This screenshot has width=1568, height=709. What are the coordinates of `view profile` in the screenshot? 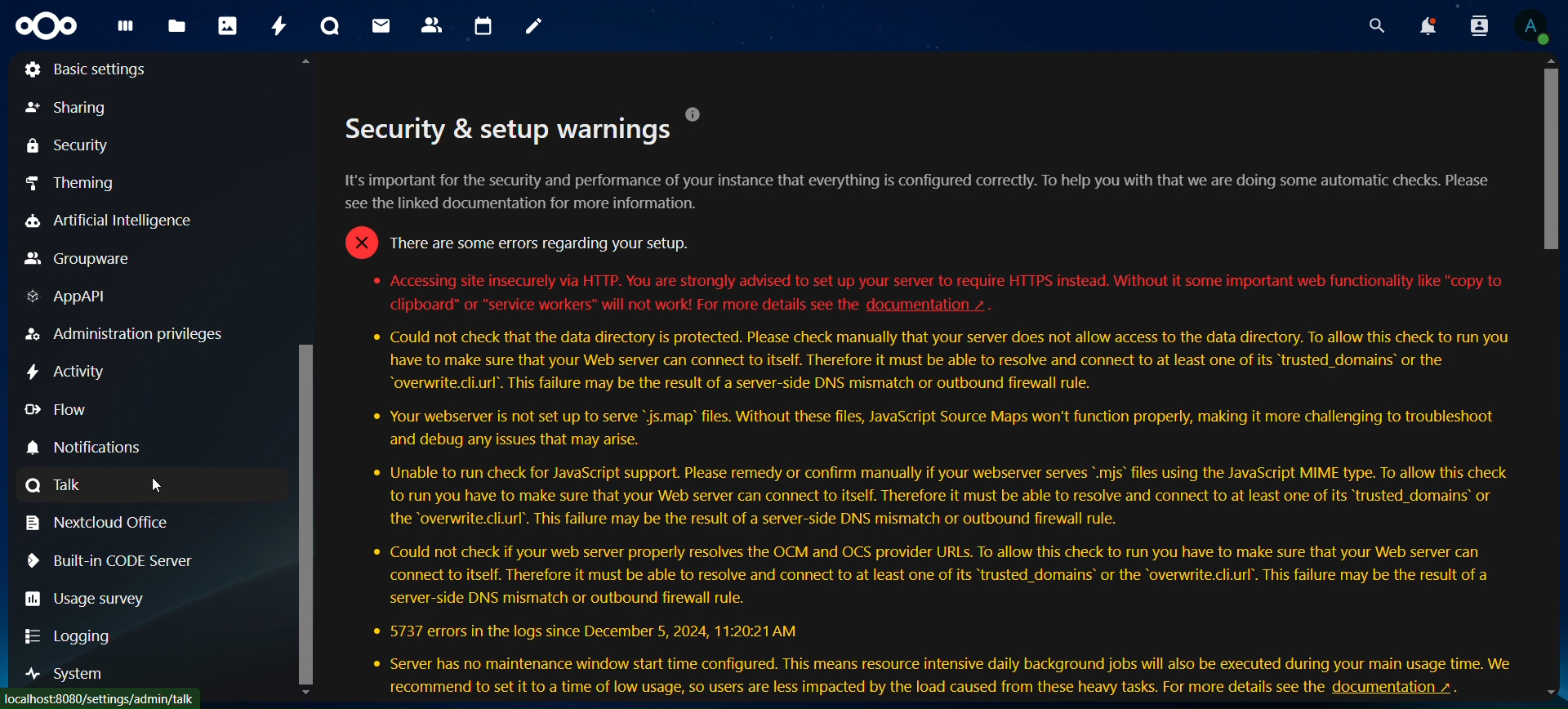 It's located at (1535, 25).